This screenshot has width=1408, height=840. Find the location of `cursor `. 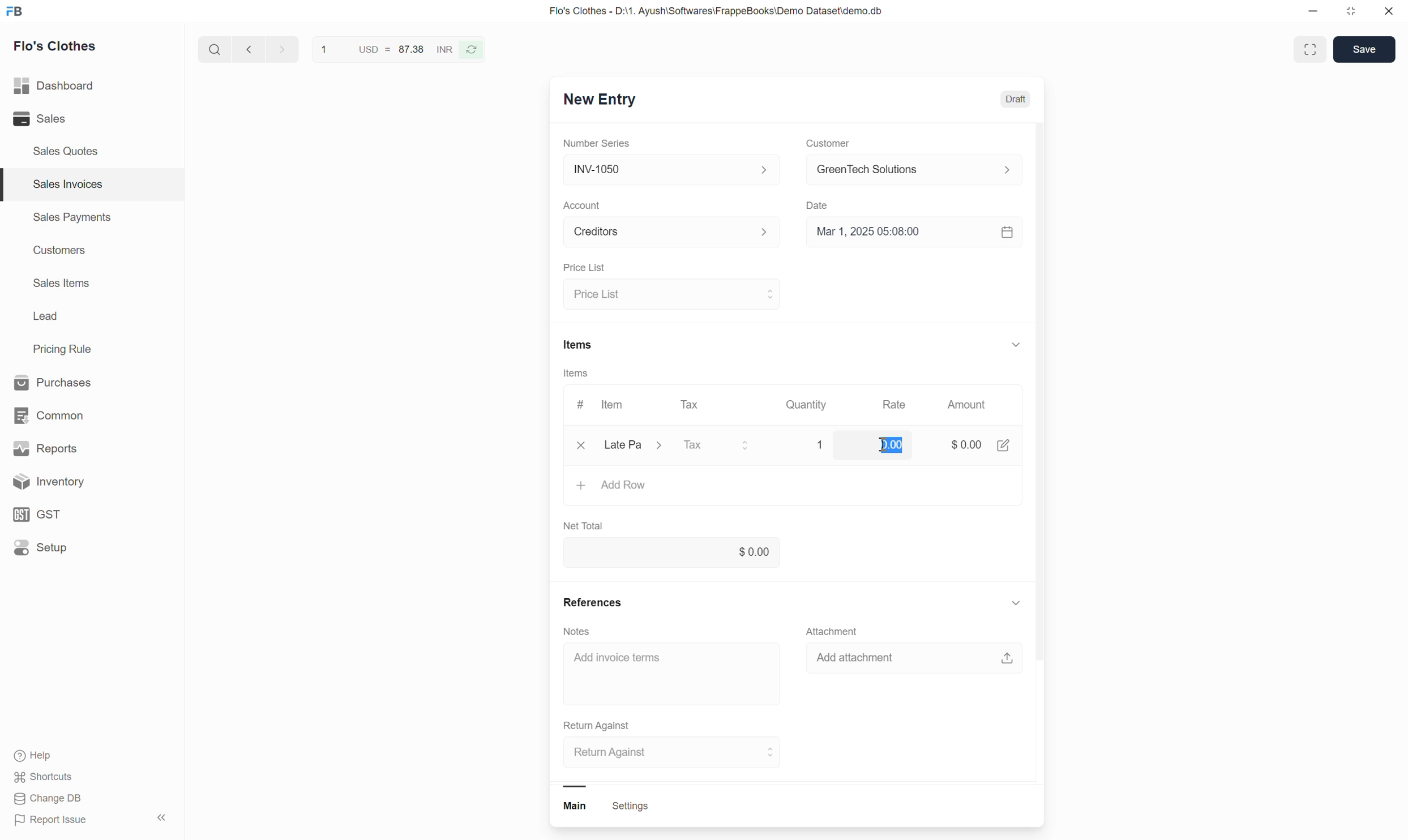

cursor  is located at coordinates (881, 447).